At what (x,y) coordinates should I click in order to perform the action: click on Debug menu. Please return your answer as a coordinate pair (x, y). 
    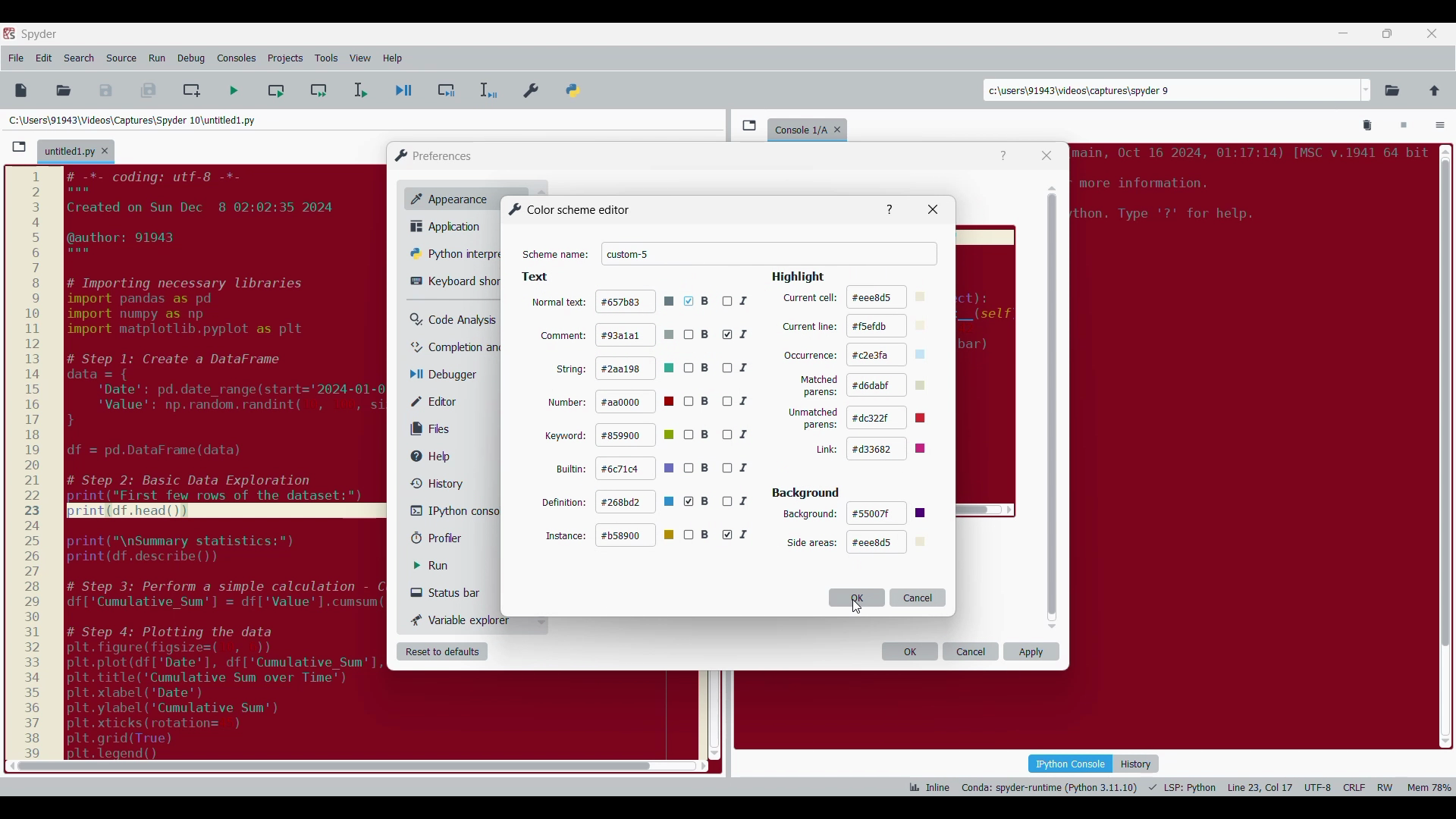
    Looking at the image, I should click on (191, 58).